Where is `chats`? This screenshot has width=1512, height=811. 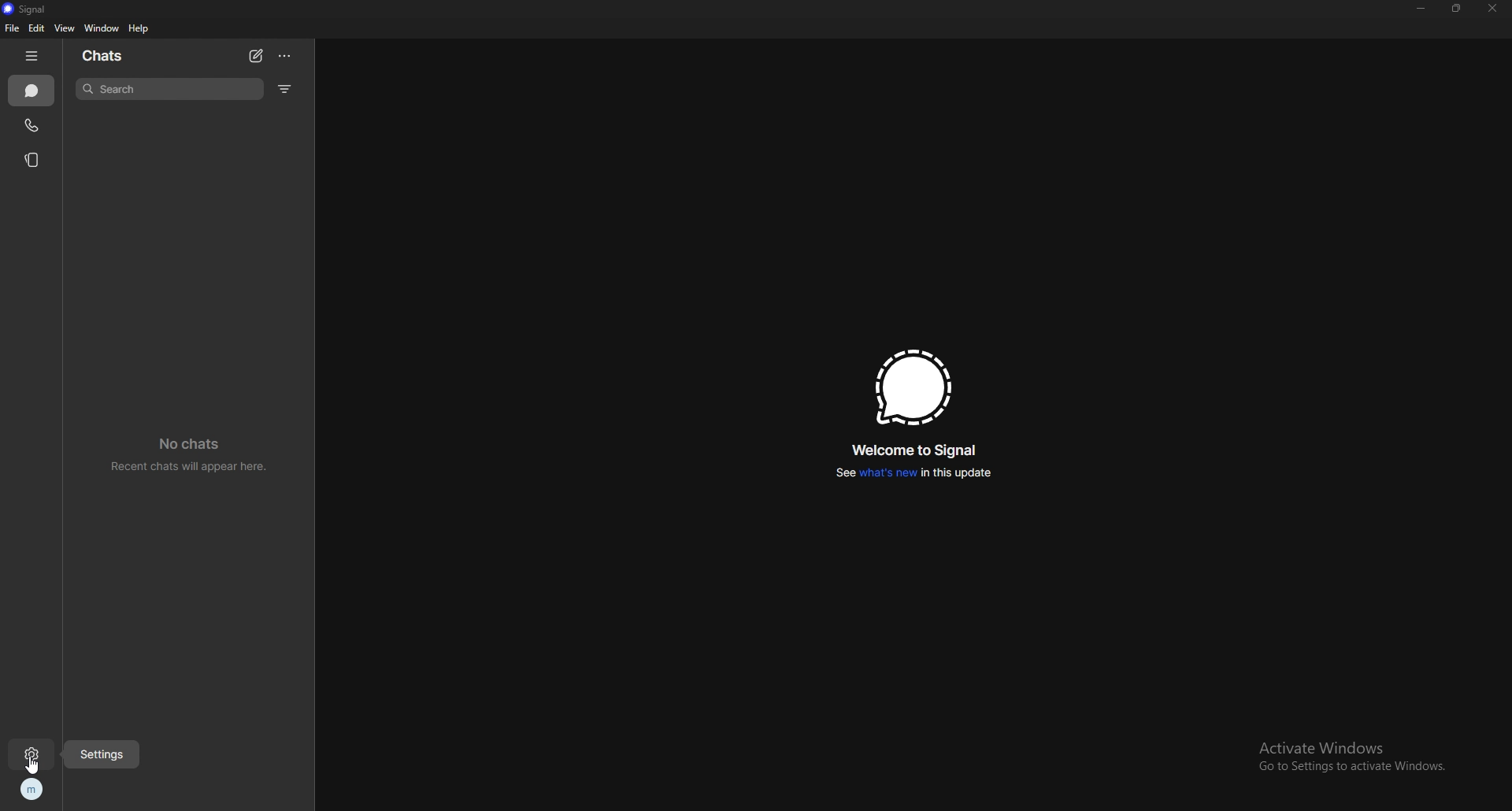 chats is located at coordinates (104, 55).